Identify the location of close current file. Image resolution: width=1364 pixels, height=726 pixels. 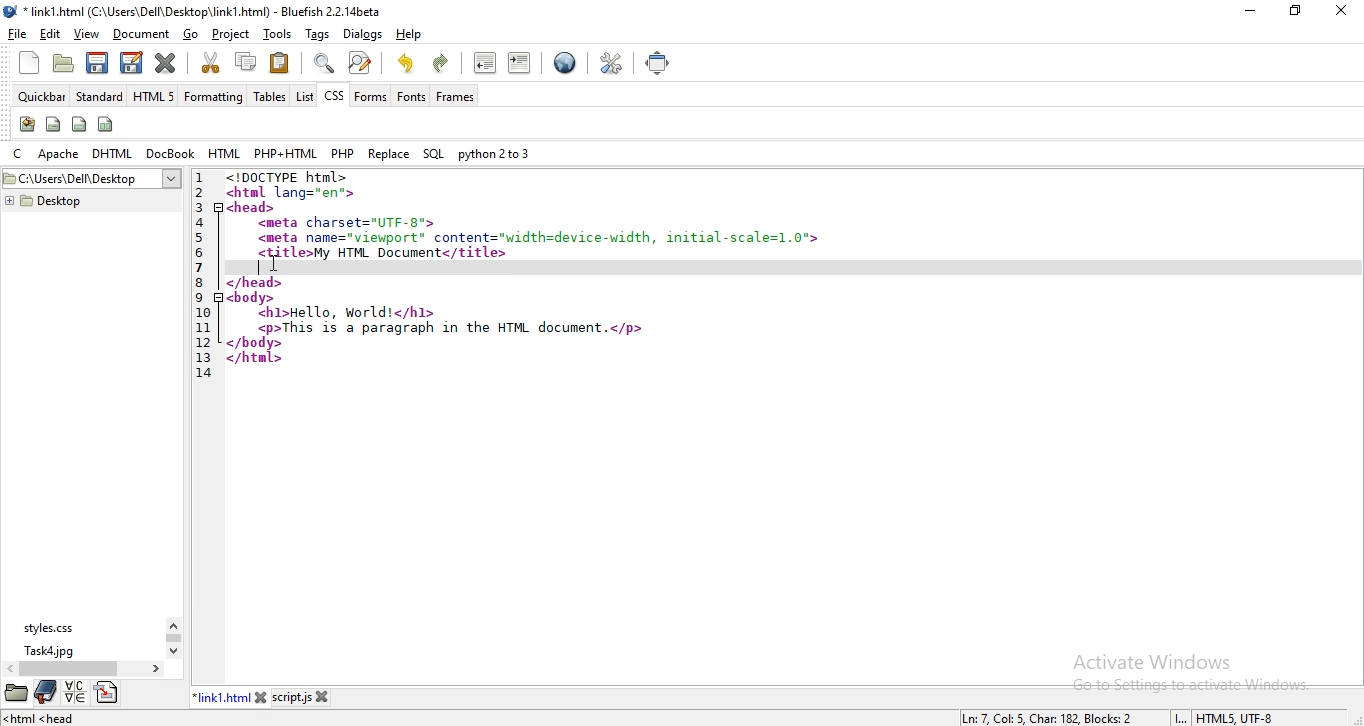
(165, 65).